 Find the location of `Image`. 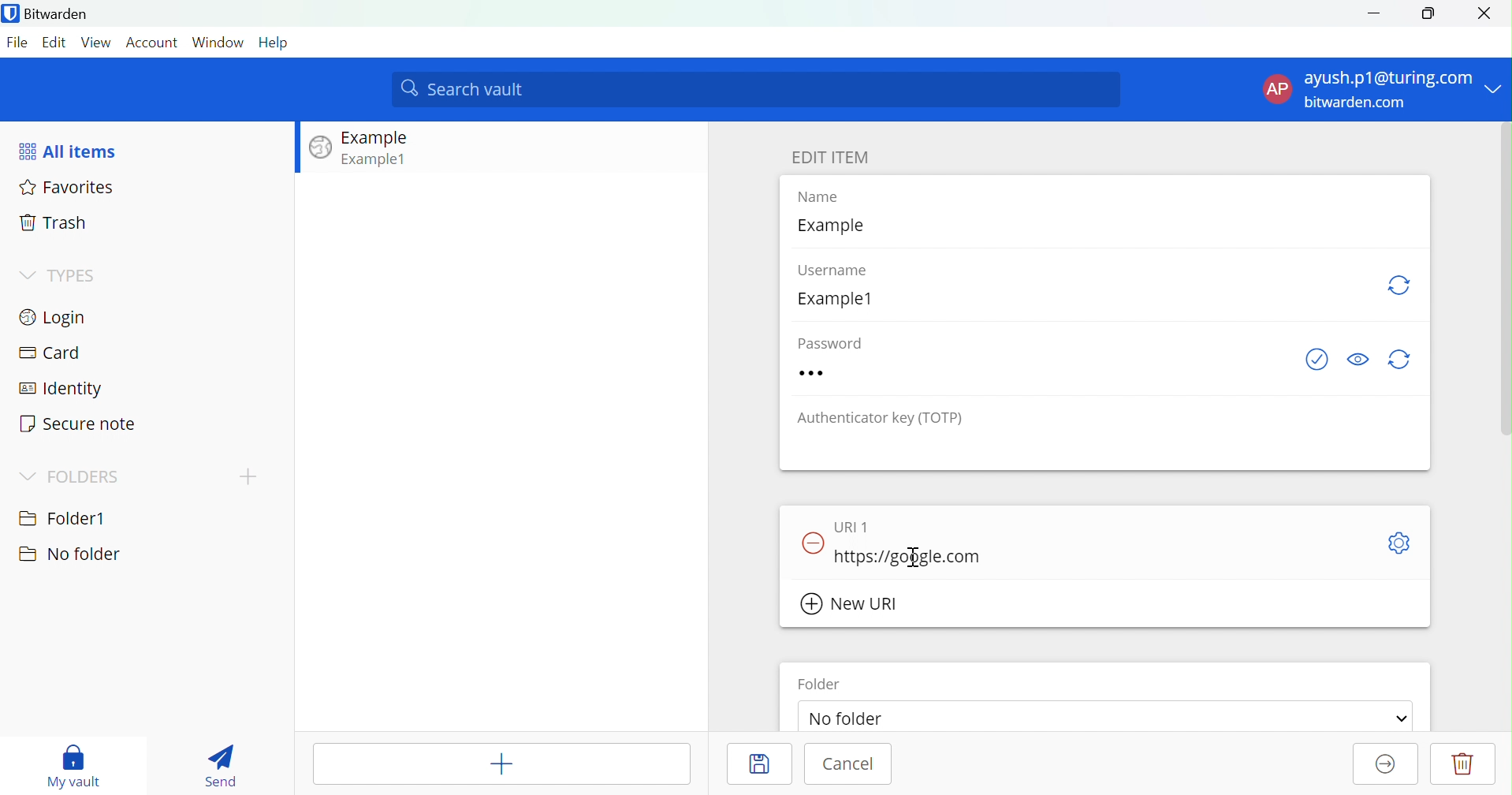

Image is located at coordinates (321, 148).